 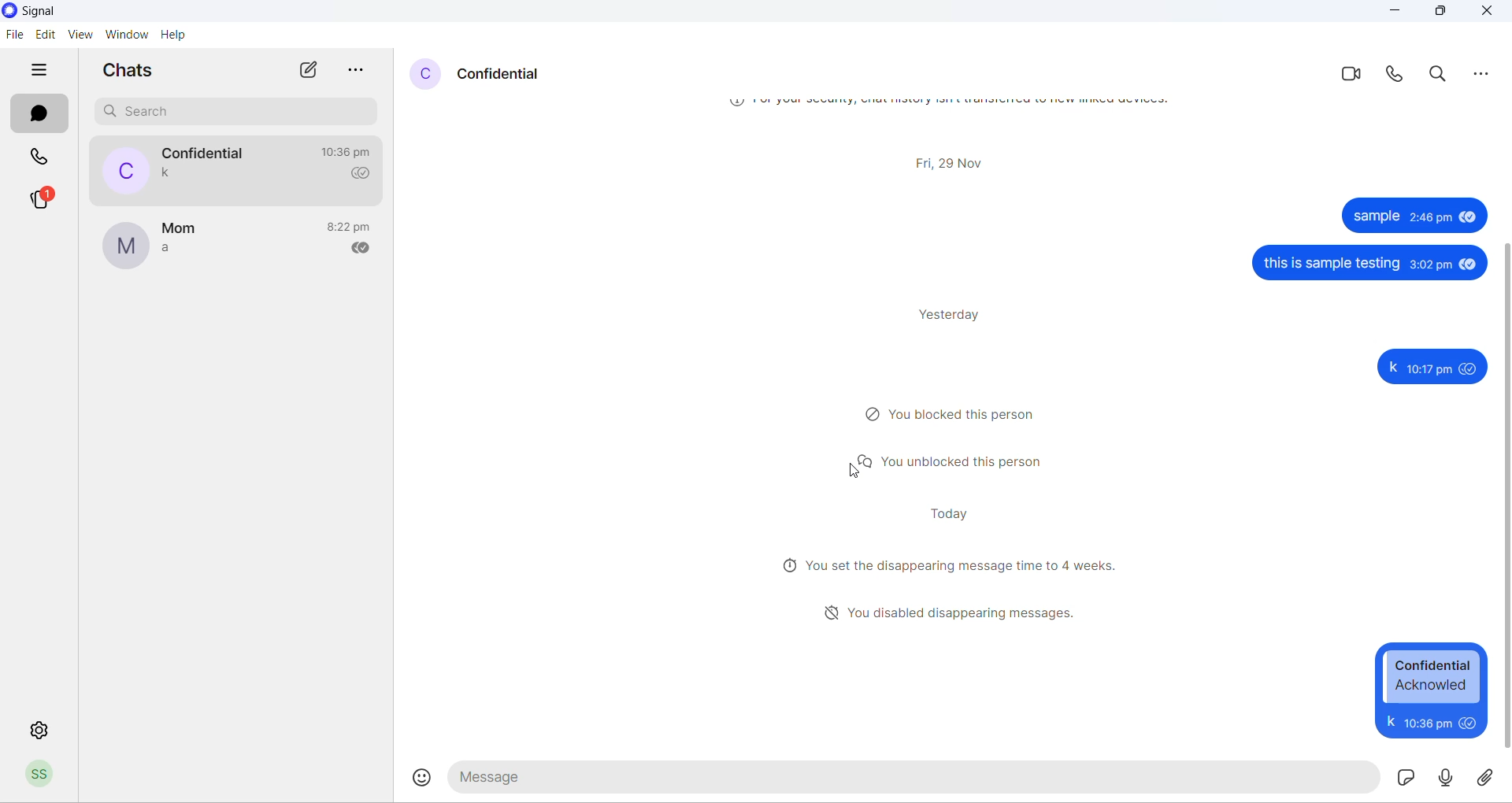 I want to click on profile picture, so click(x=126, y=170).